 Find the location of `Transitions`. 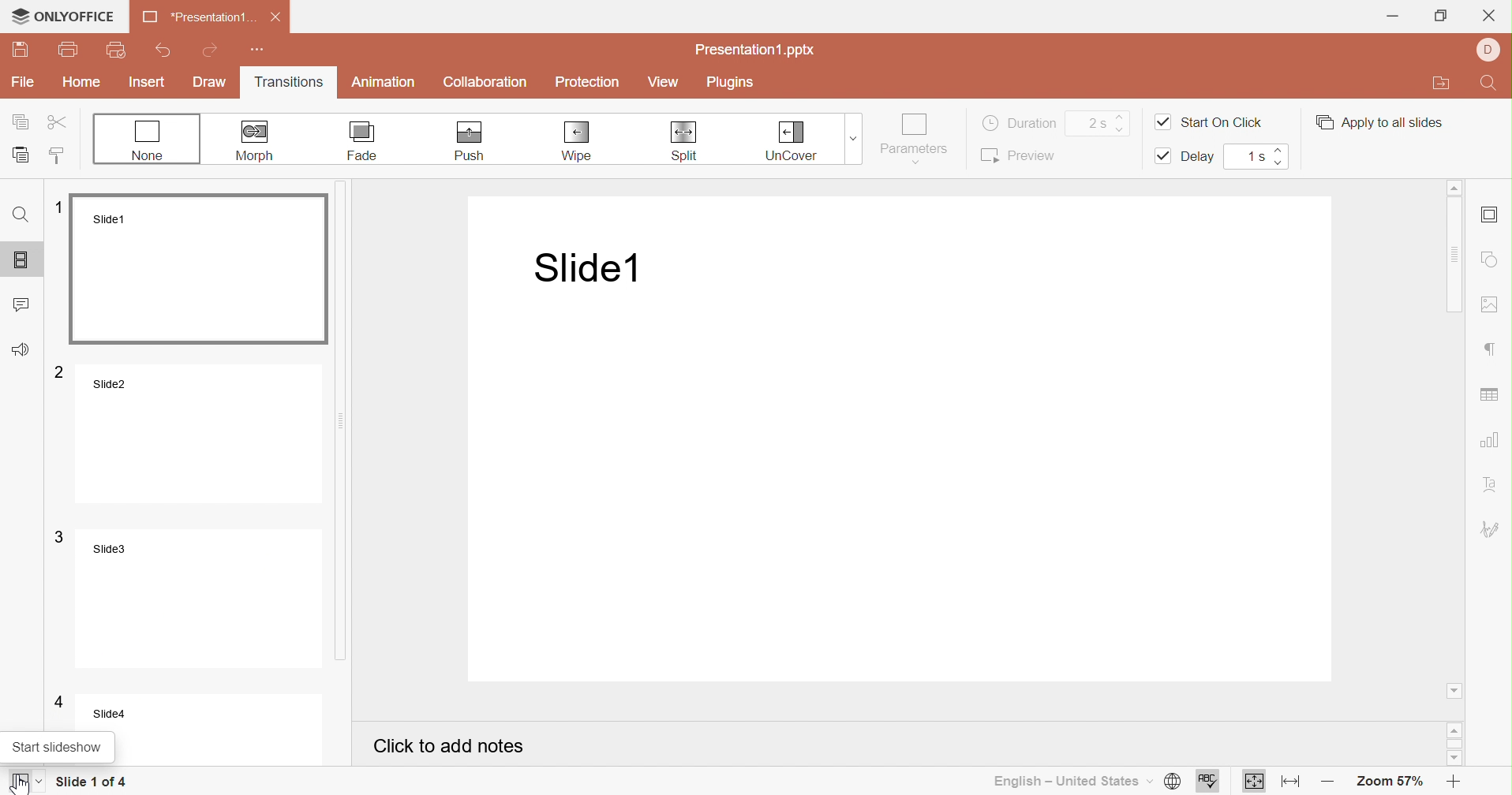

Transitions is located at coordinates (288, 84).